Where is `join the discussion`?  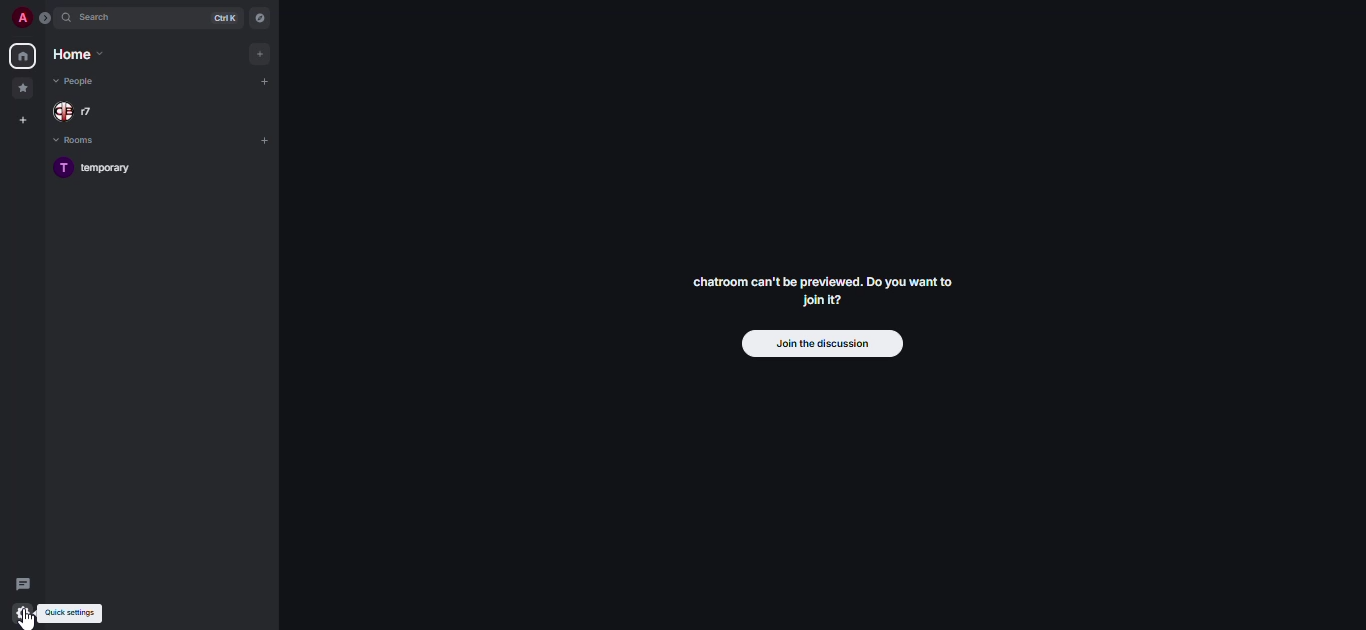 join the discussion is located at coordinates (822, 345).